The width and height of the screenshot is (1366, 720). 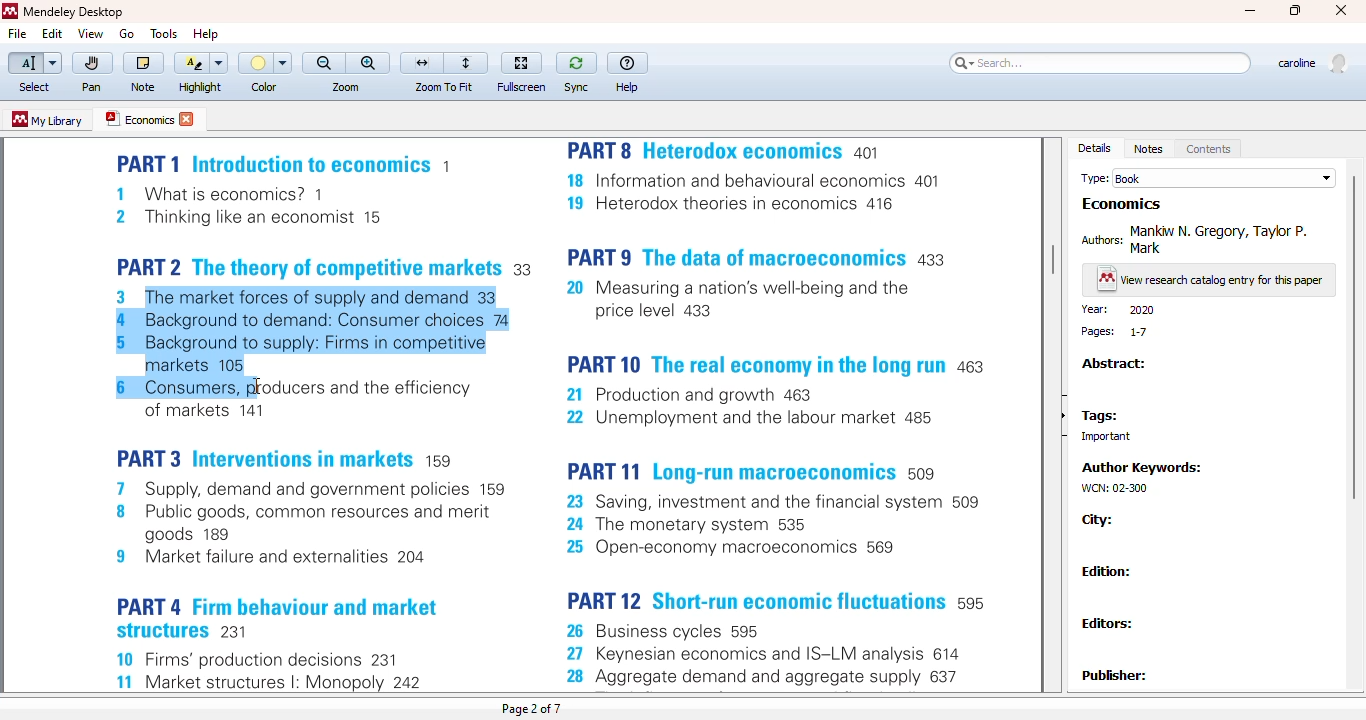 What do you see at coordinates (46, 119) in the screenshot?
I see `my library` at bounding box center [46, 119].